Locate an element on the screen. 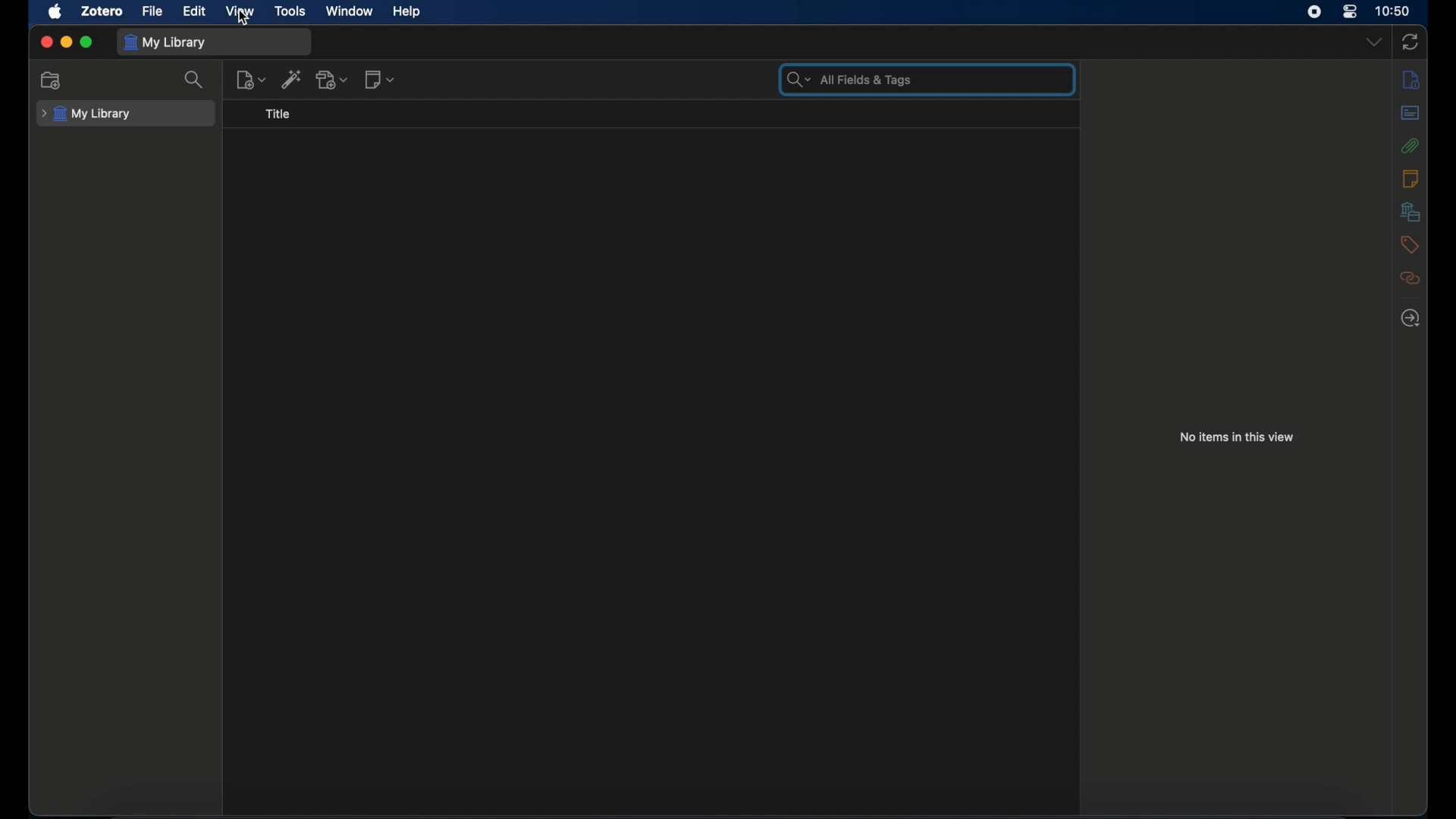 The image size is (1456, 819). sync is located at coordinates (1410, 42).